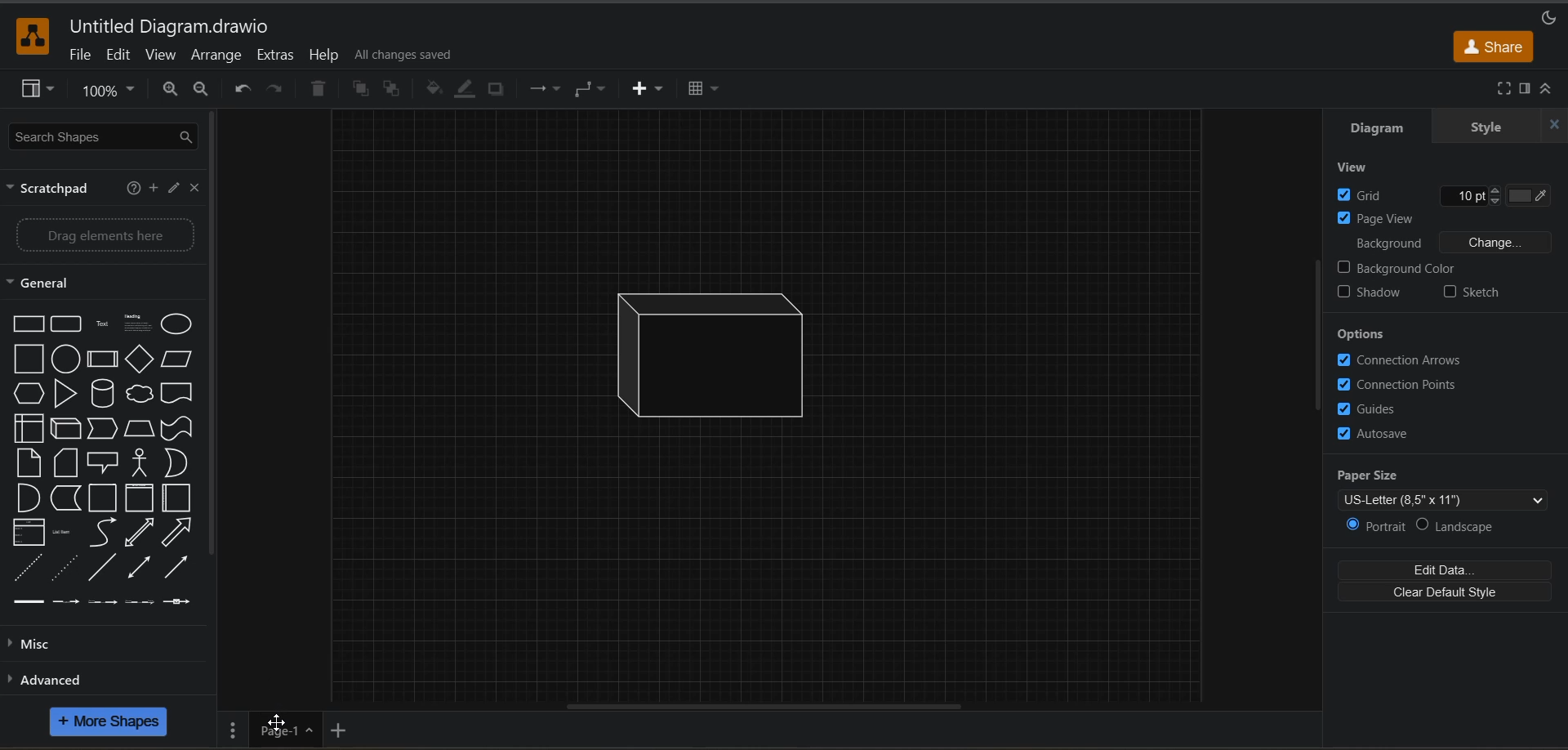 This screenshot has height=750, width=1568. I want to click on portrait, so click(1376, 525).